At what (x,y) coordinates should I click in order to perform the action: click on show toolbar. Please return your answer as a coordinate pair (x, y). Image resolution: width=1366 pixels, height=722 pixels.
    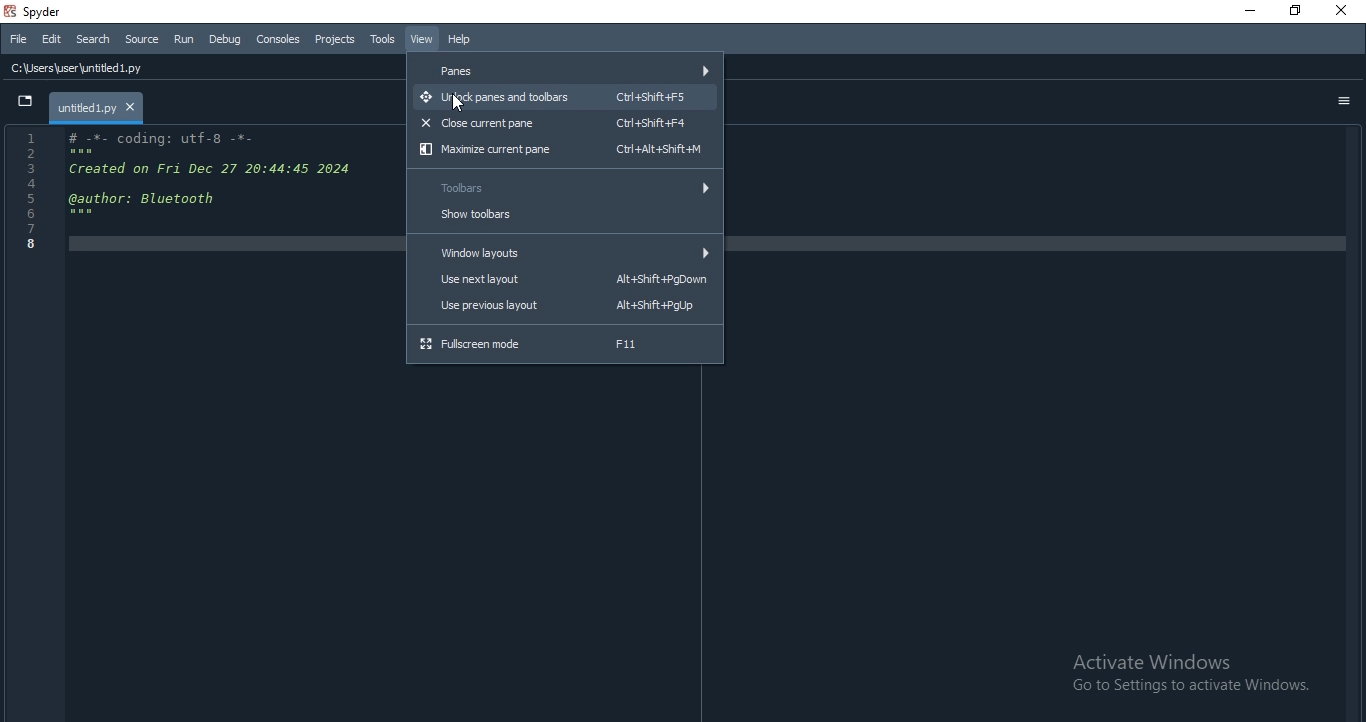
    Looking at the image, I should click on (562, 219).